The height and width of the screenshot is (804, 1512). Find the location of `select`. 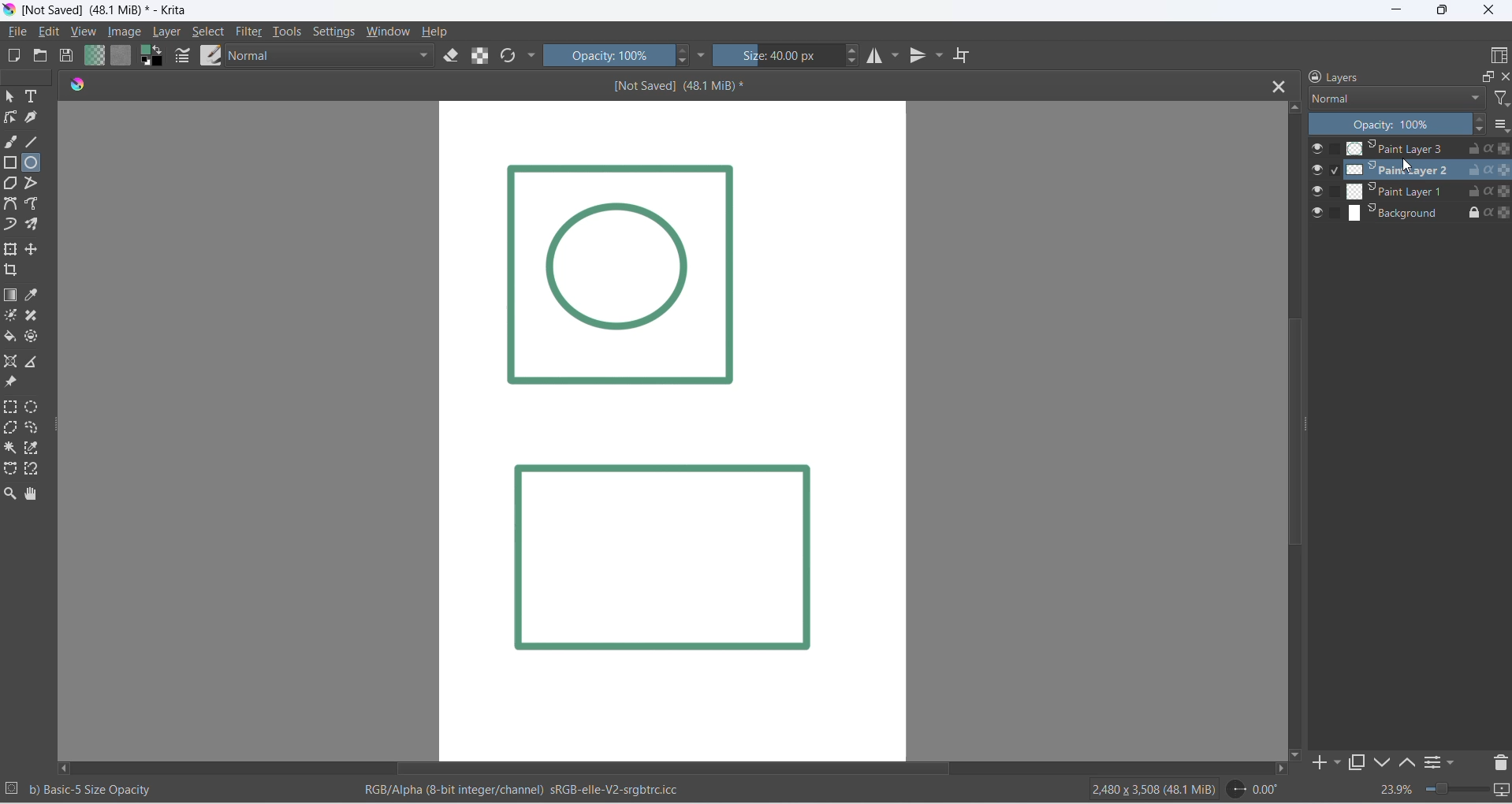

select is located at coordinates (11, 97).